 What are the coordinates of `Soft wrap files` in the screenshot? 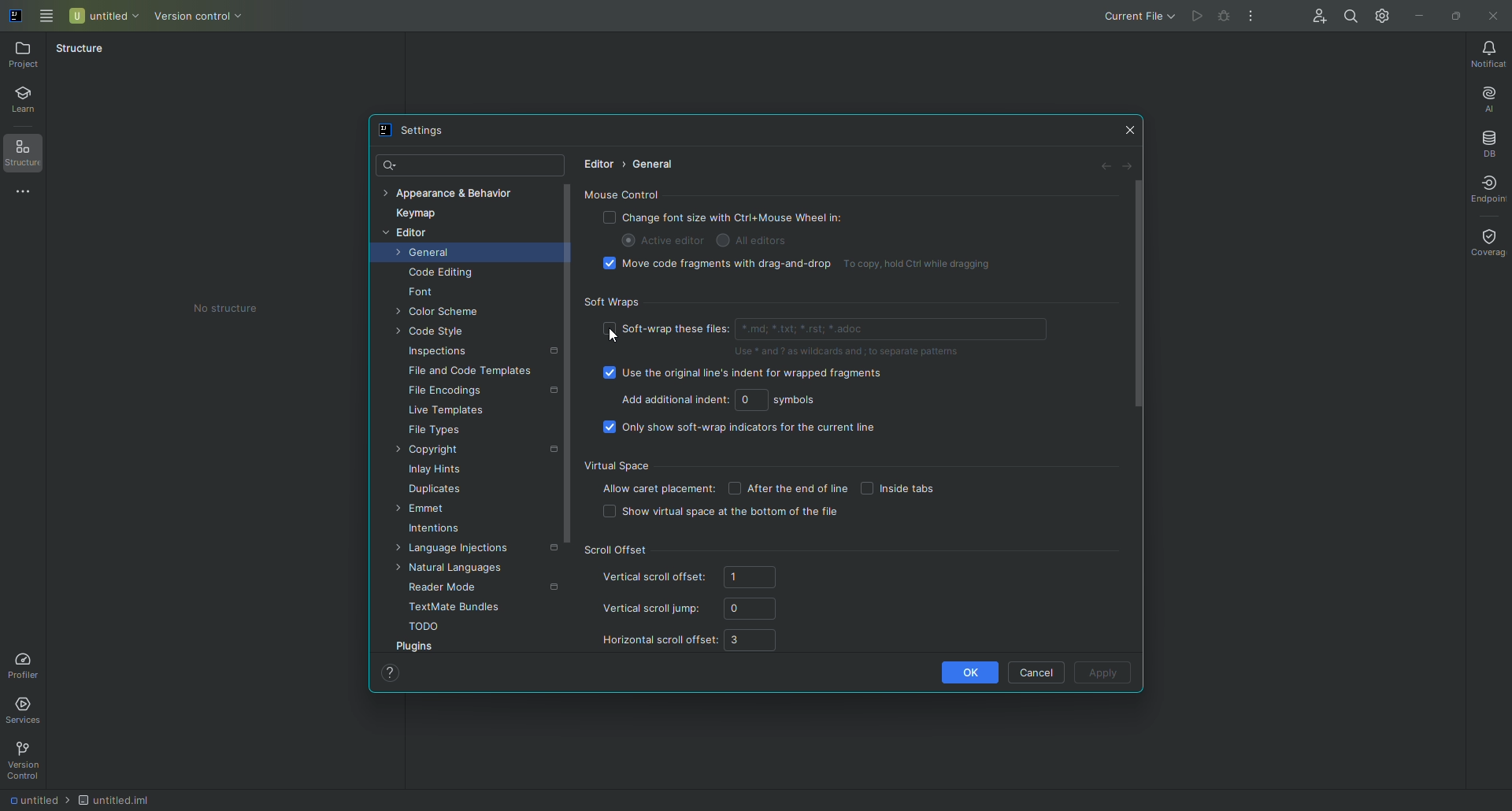 It's located at (830, 331).